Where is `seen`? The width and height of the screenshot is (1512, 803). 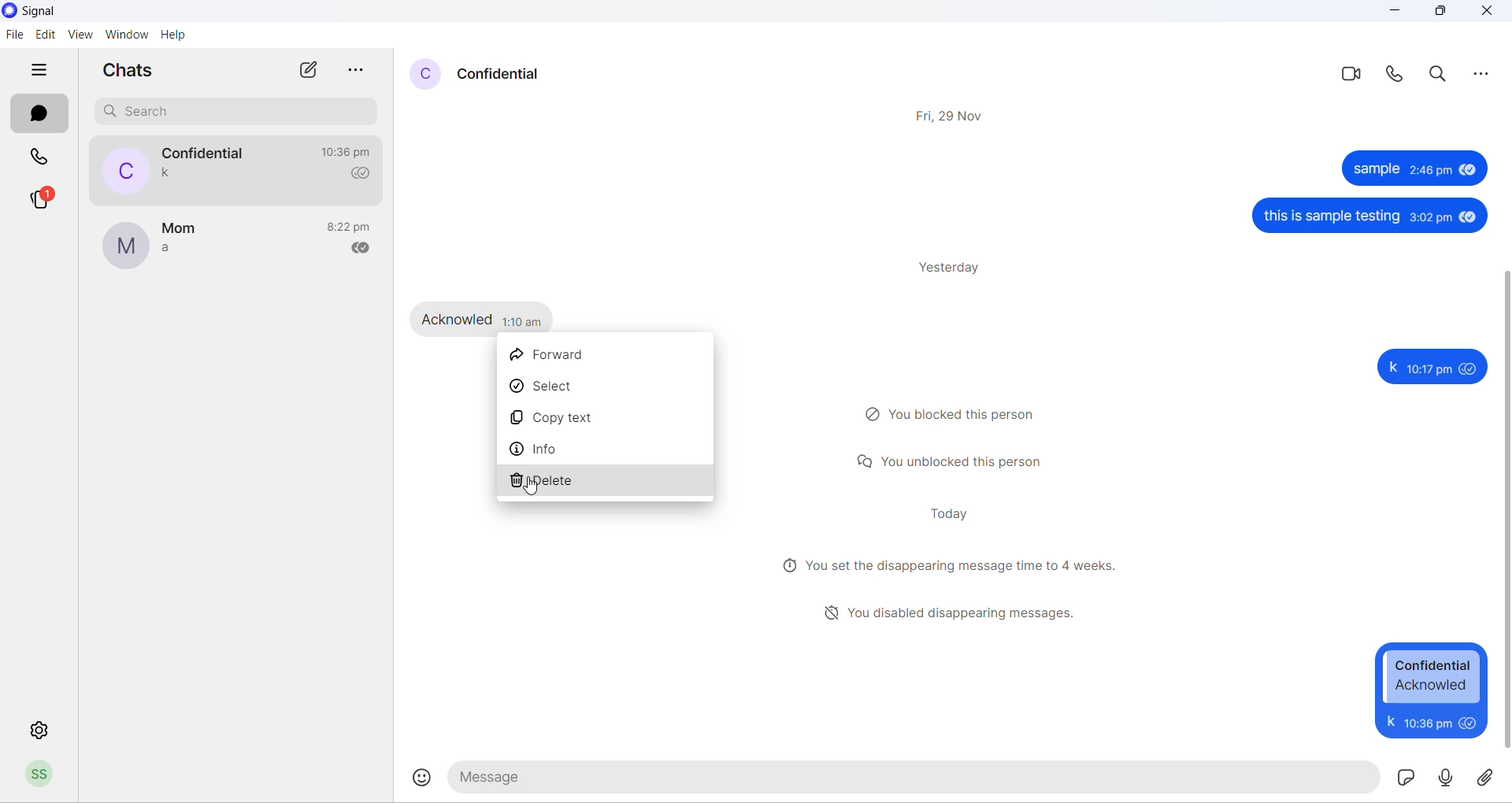 seen is located at coordinates (1468, 722).